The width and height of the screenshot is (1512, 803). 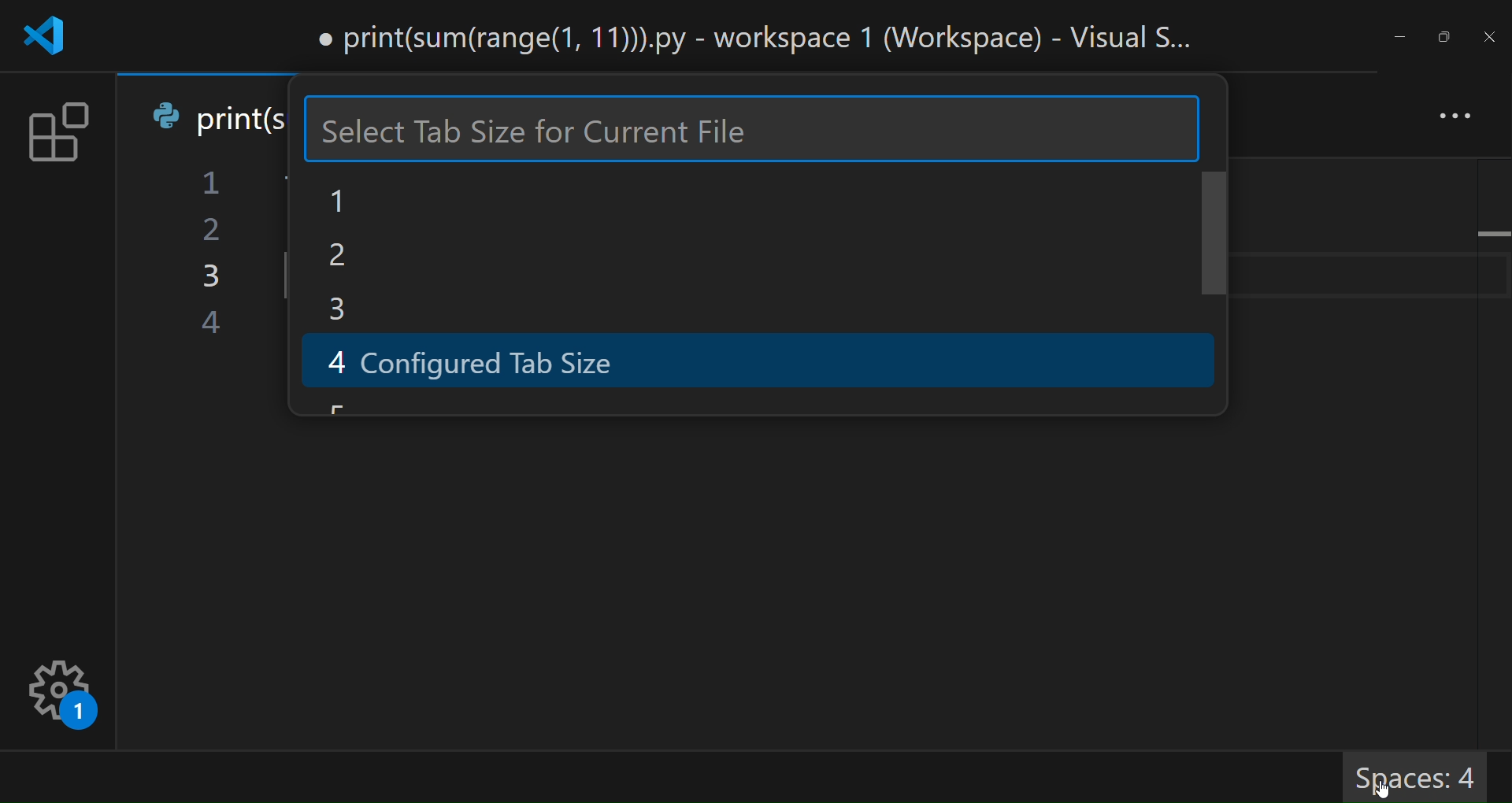 I want to click on tab name, so click(x=218, y=117).